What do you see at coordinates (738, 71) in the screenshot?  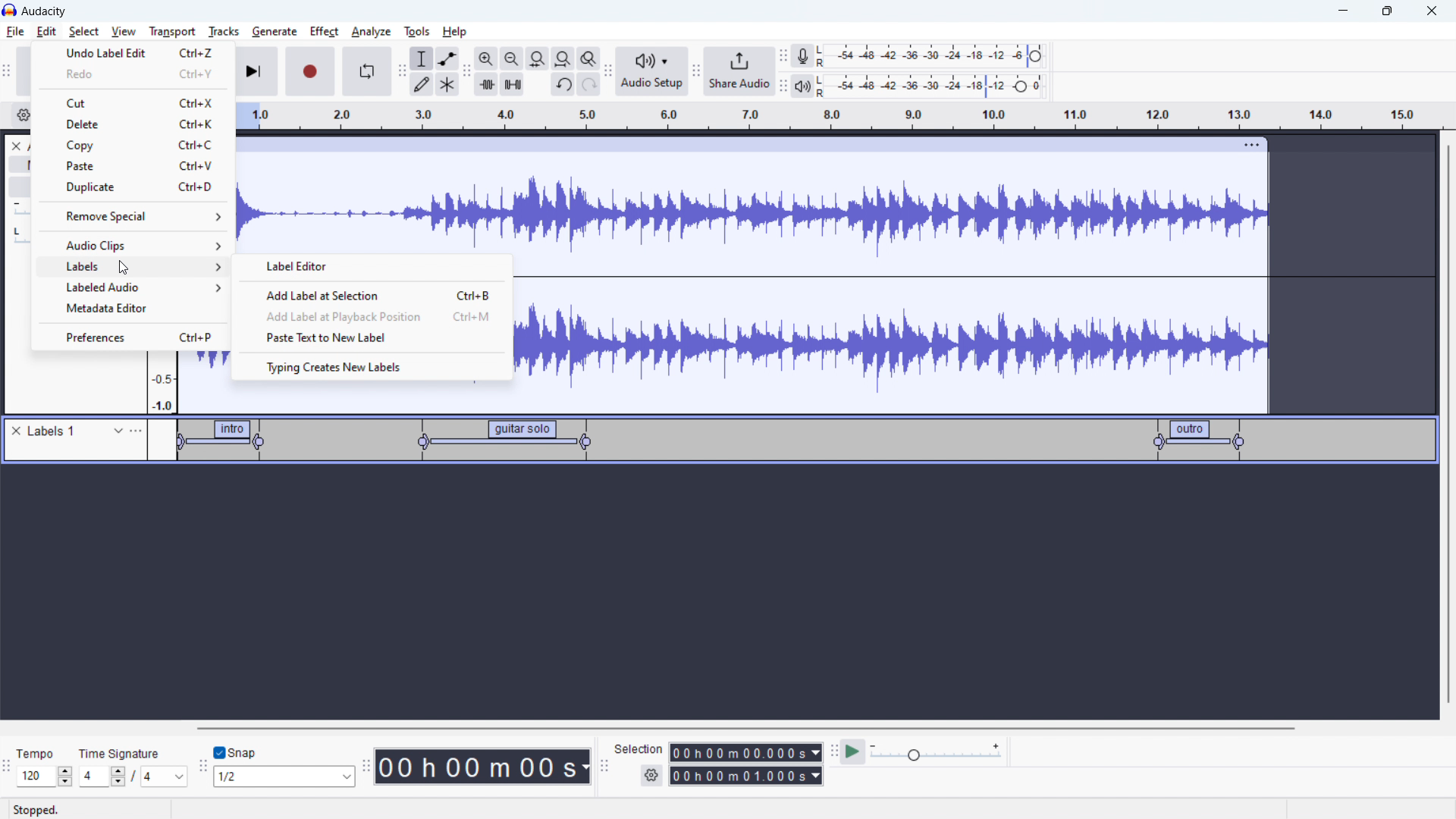 I see `share audio` at bounding box center [738, 71].